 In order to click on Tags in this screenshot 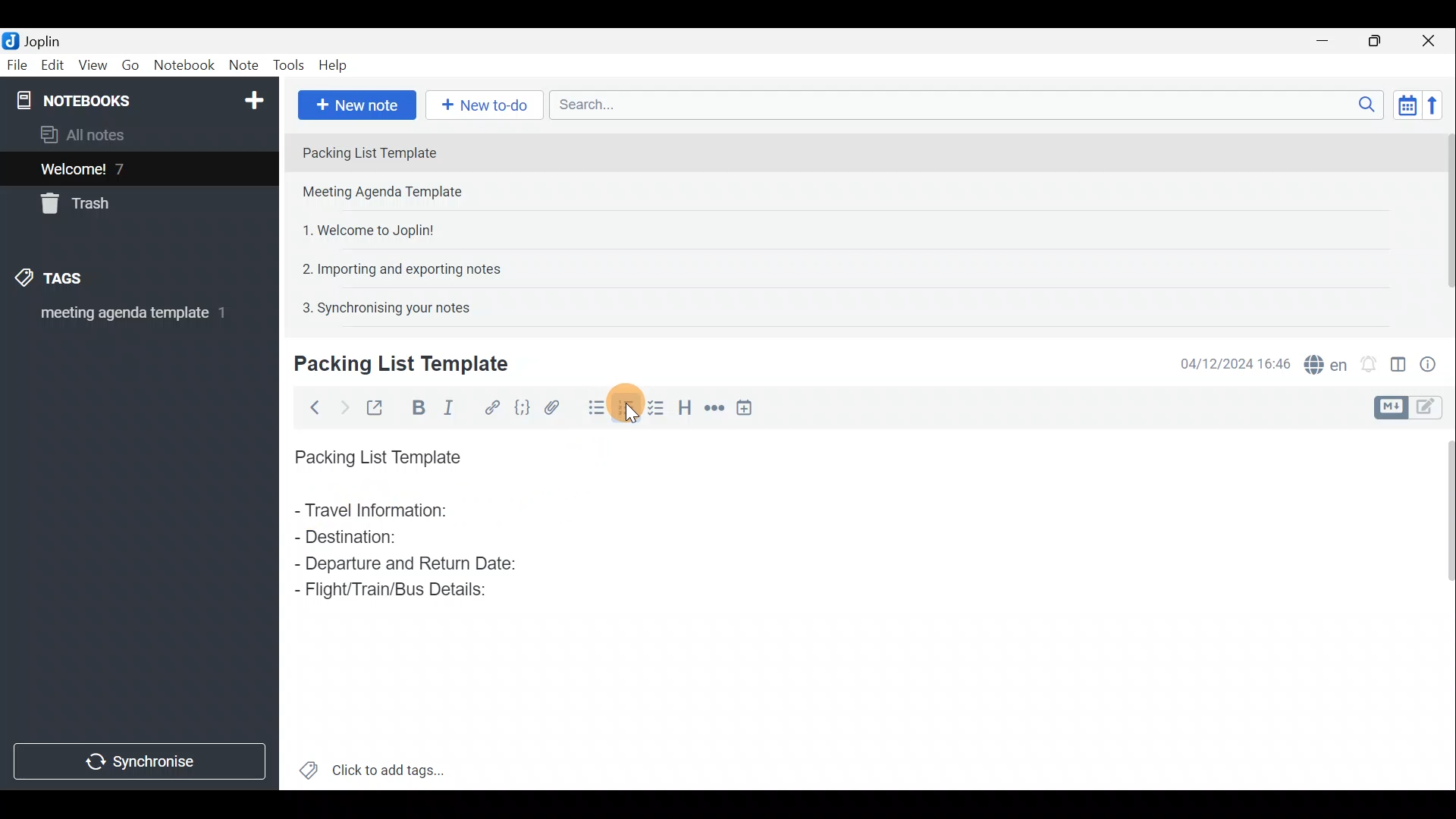, I will do `click(74, 281)`.